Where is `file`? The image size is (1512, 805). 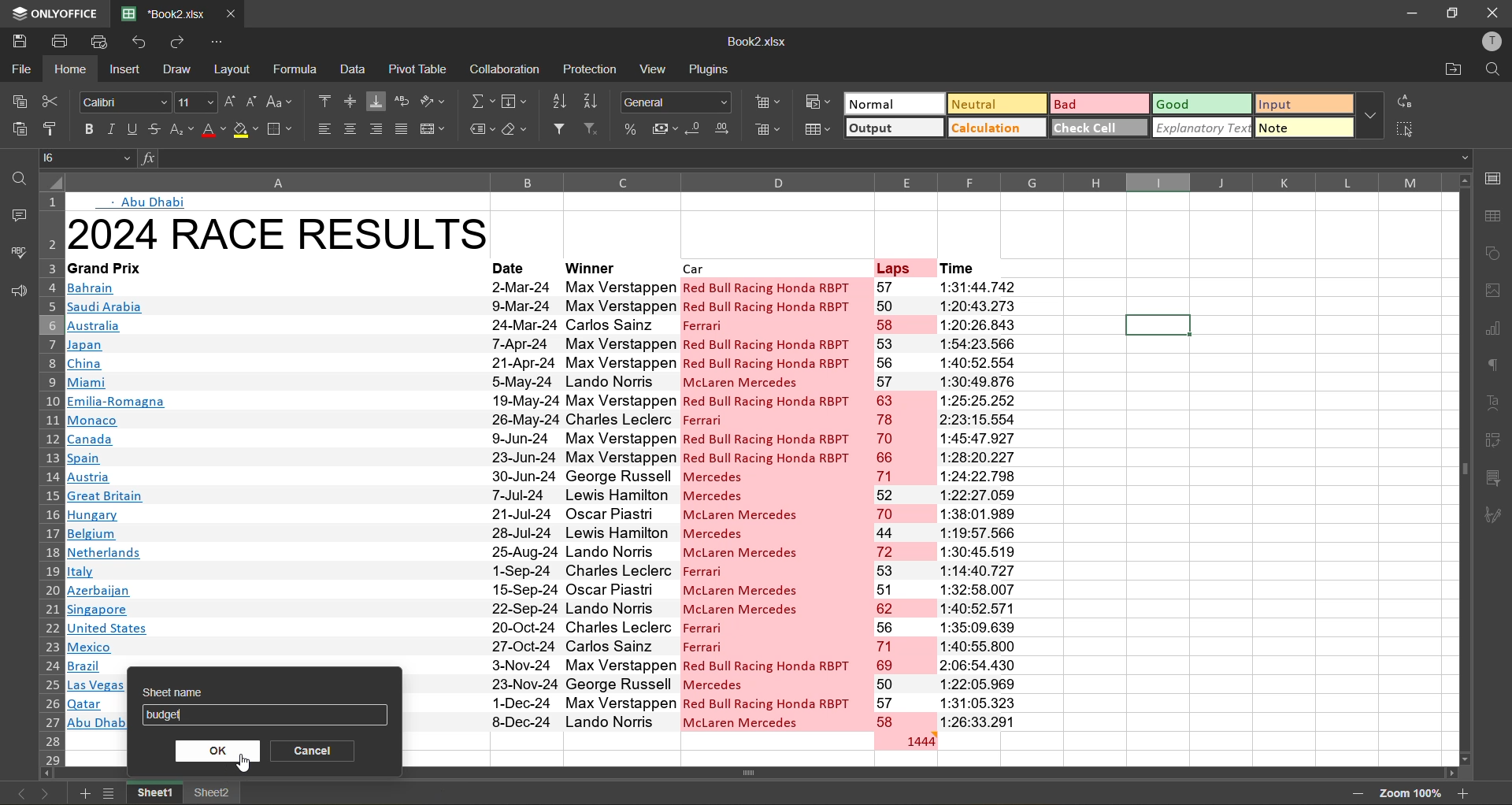
file is located at coordinates (20, 68).